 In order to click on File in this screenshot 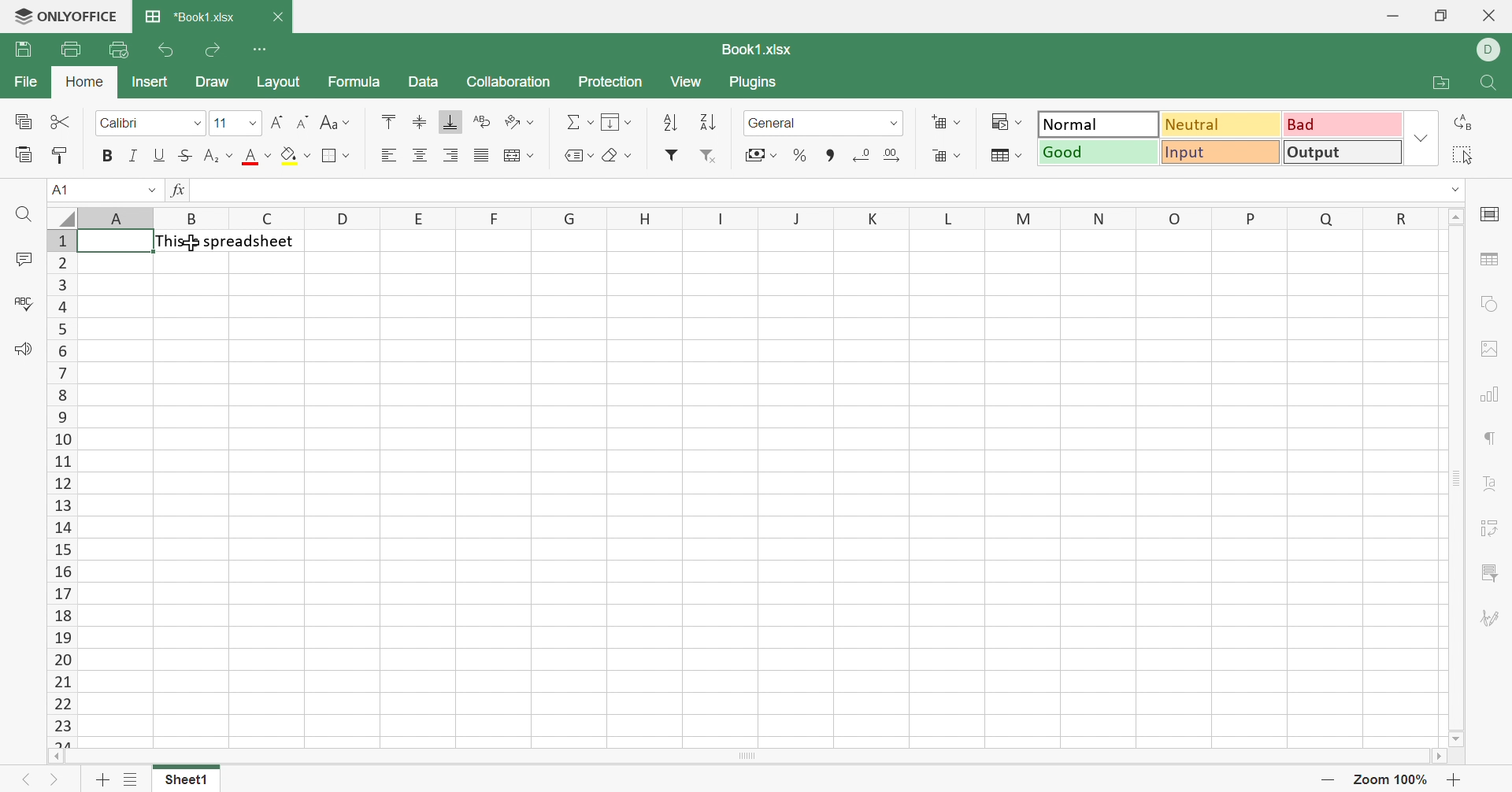, I will do `click(27, 83)`.